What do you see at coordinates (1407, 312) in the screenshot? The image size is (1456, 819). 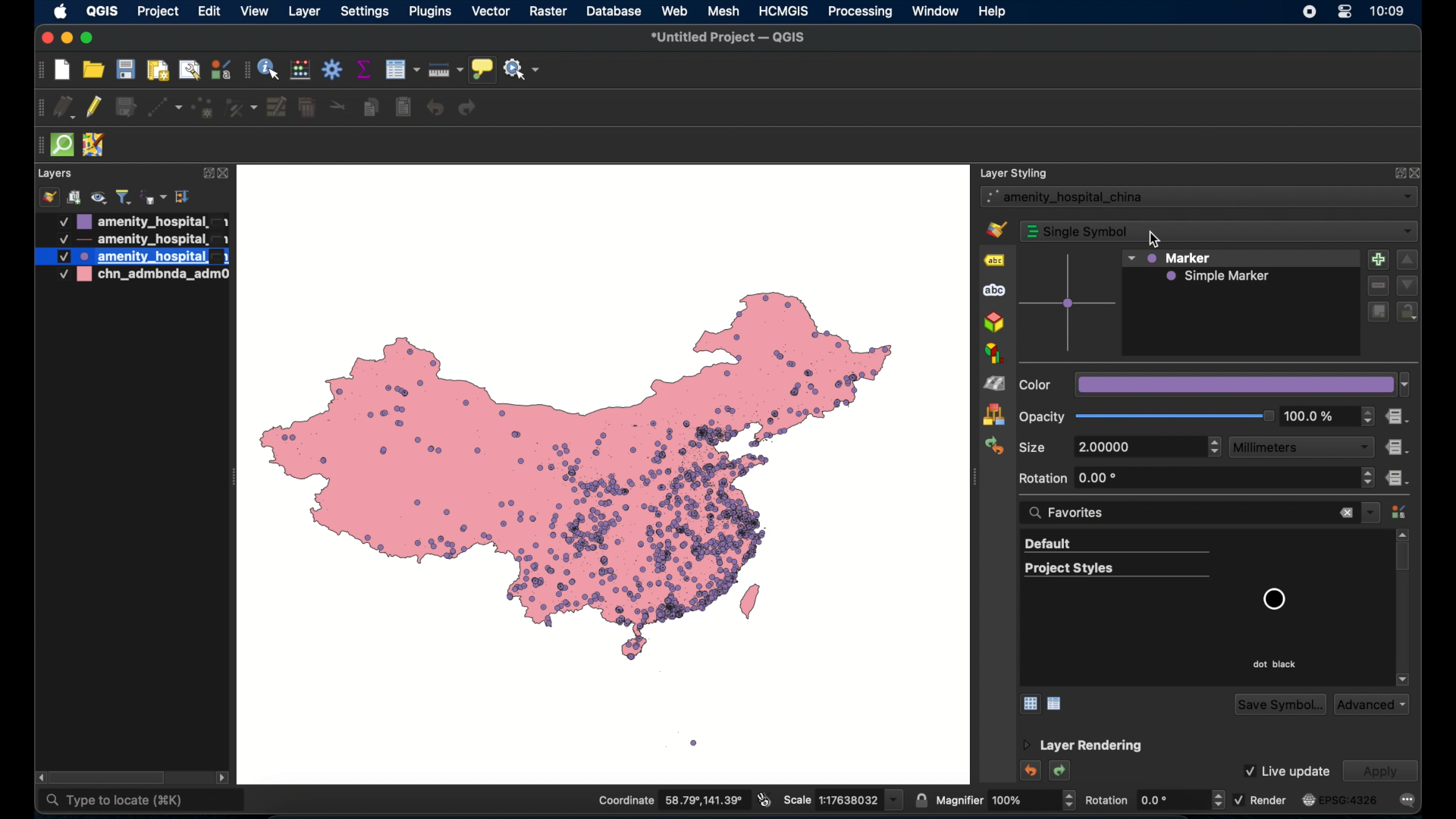 I see `lock symbol layer` at bounding box center [1407, 312].